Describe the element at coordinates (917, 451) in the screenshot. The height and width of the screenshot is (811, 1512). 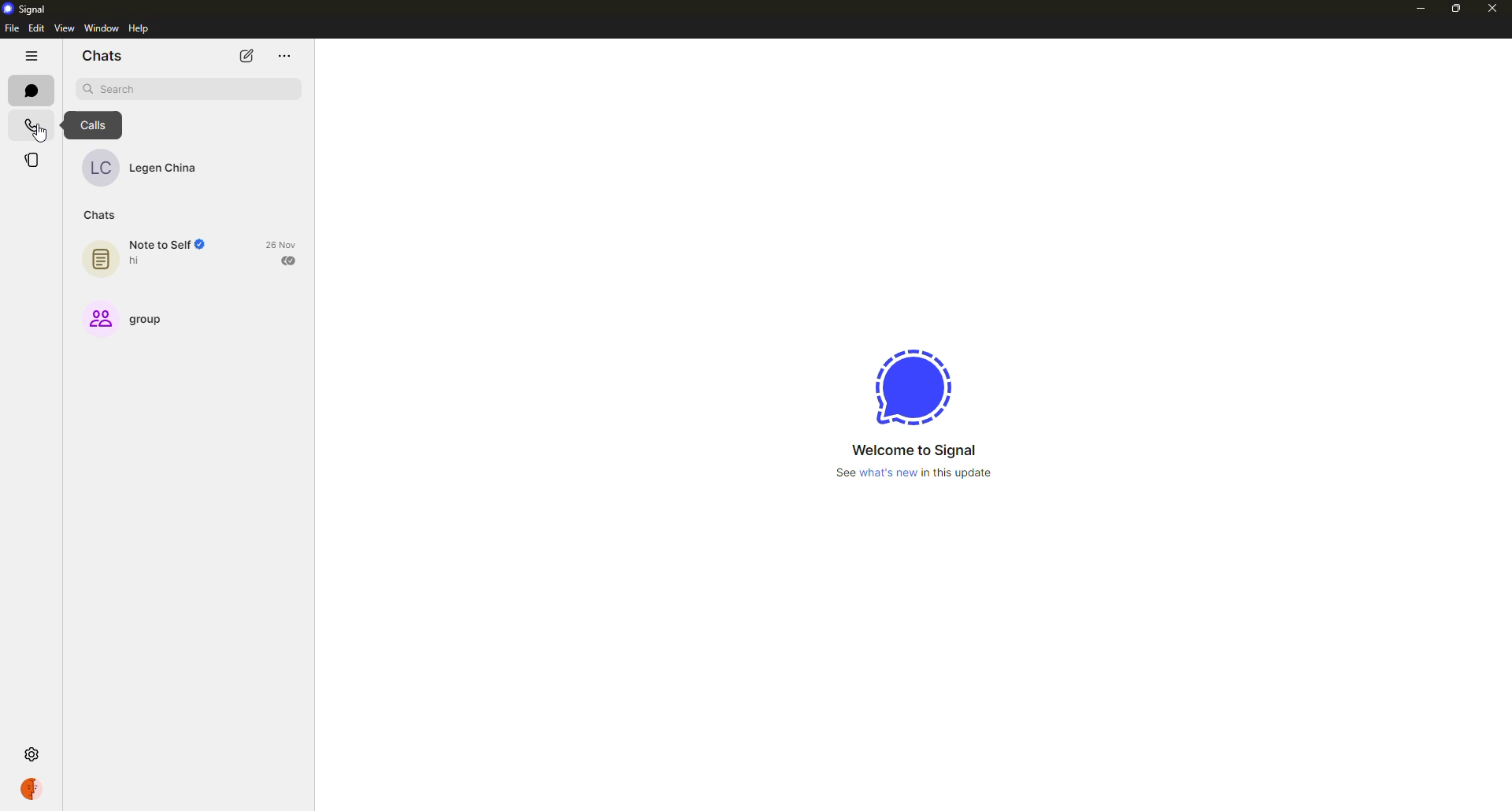
I see `welcome to signal` at that location.